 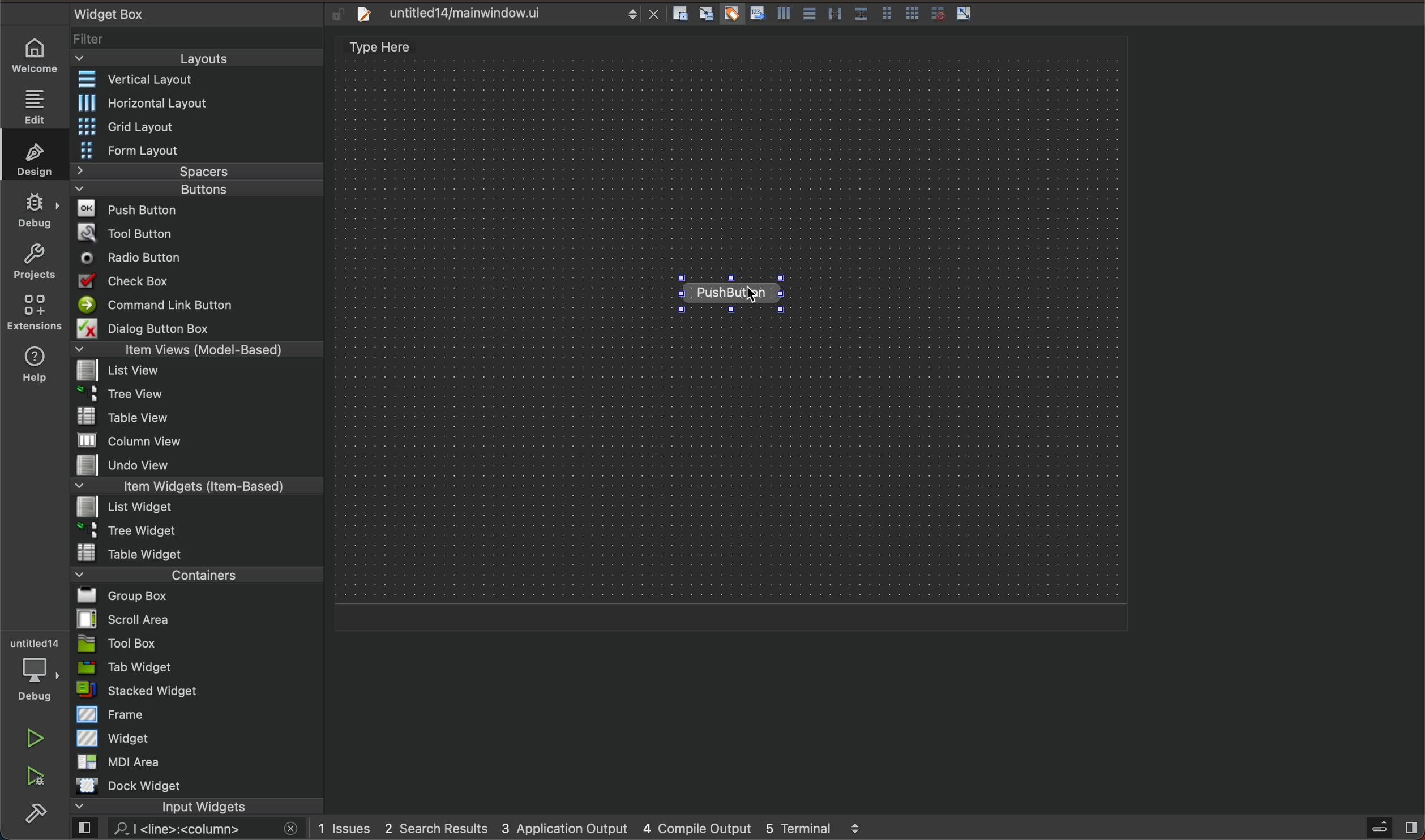 What do you see at coordinates (503, 16) in the screenshot?
I see `file tab` at bounding box center [503, 16].